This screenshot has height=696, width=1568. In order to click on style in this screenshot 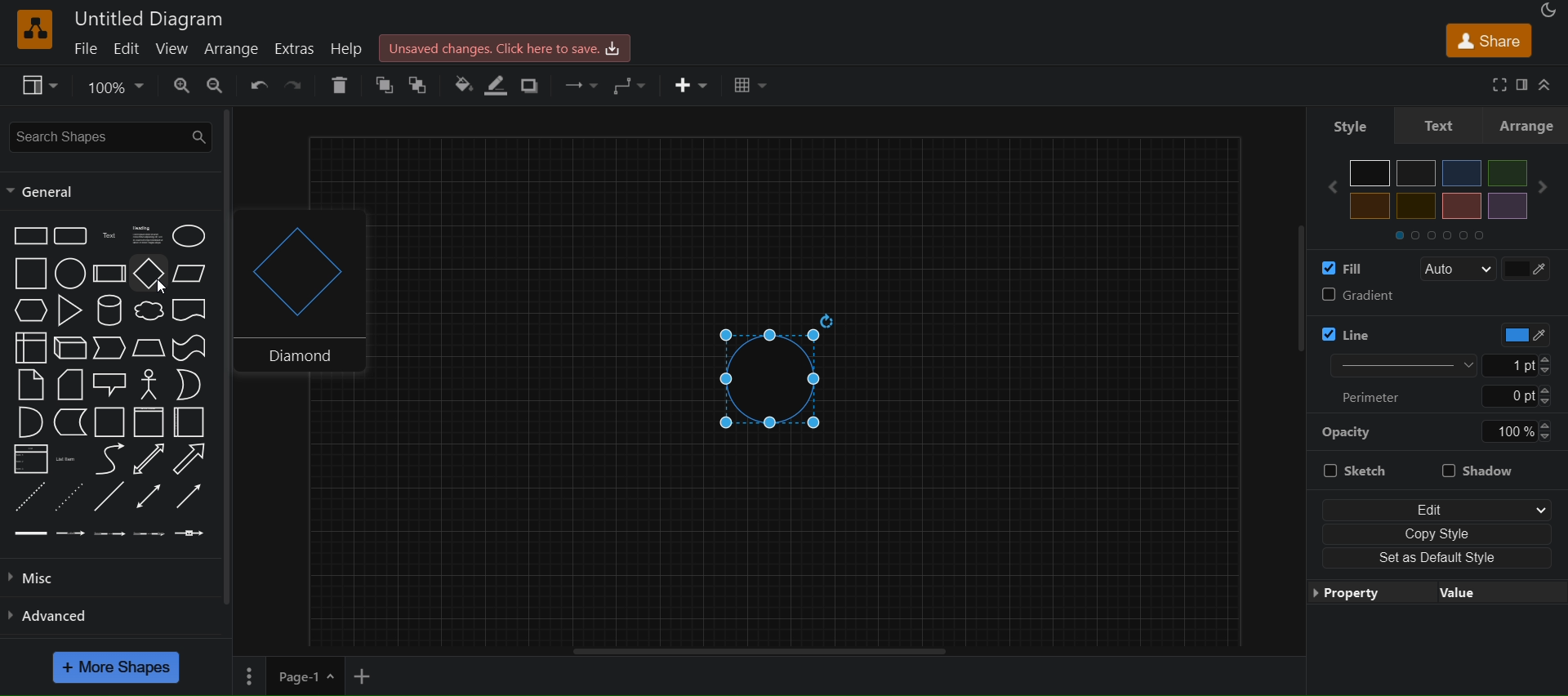, I will do `click(1343, 124)`.